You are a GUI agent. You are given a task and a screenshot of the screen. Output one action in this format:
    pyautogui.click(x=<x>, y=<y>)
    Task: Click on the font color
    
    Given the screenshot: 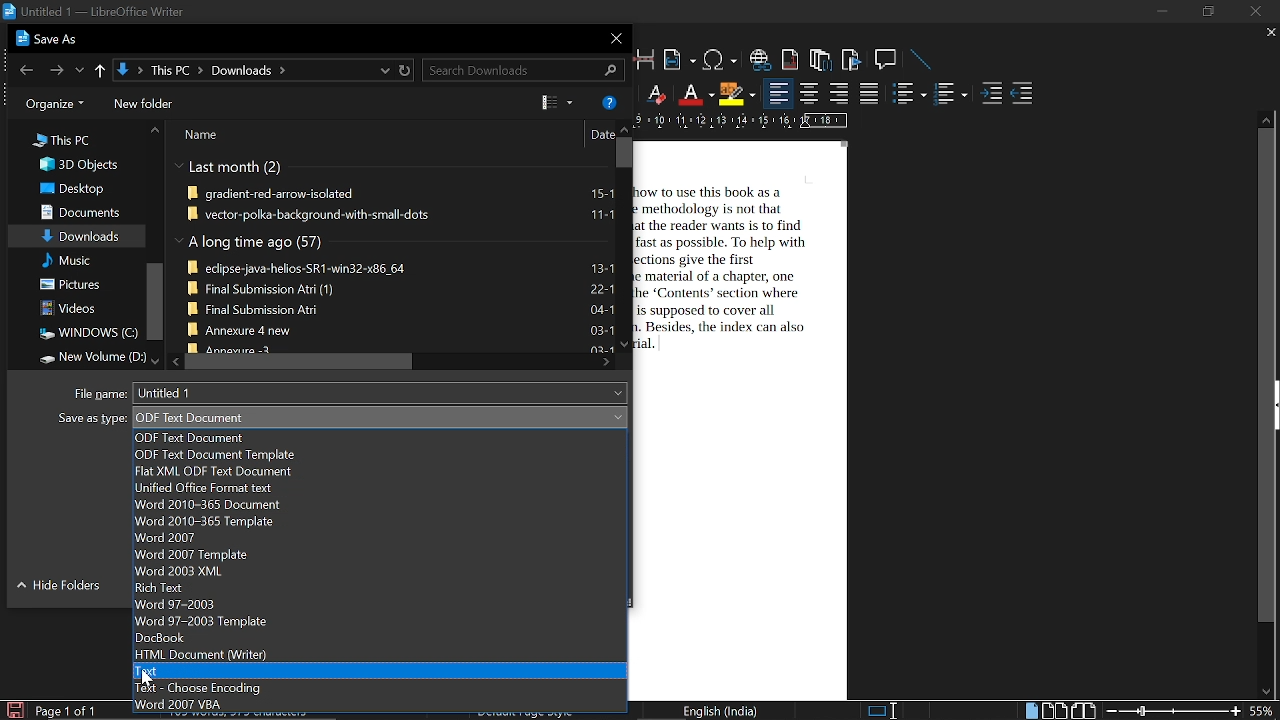 What is the action you would take?
    pyautogui.click(x=694, y=95)
    